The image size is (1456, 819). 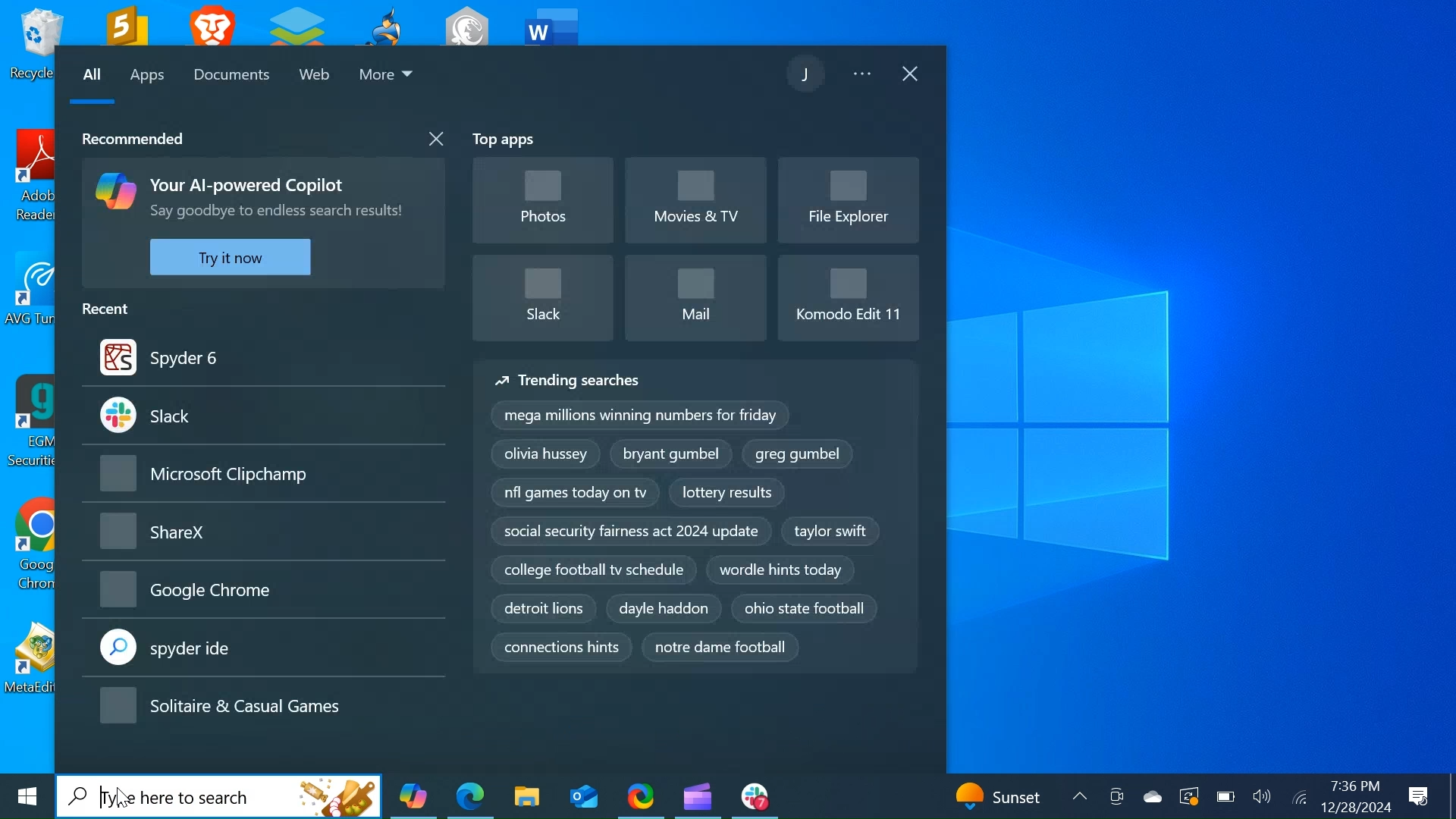 I want to click on Komodo Edit 11 , so click(x=846, y=293).